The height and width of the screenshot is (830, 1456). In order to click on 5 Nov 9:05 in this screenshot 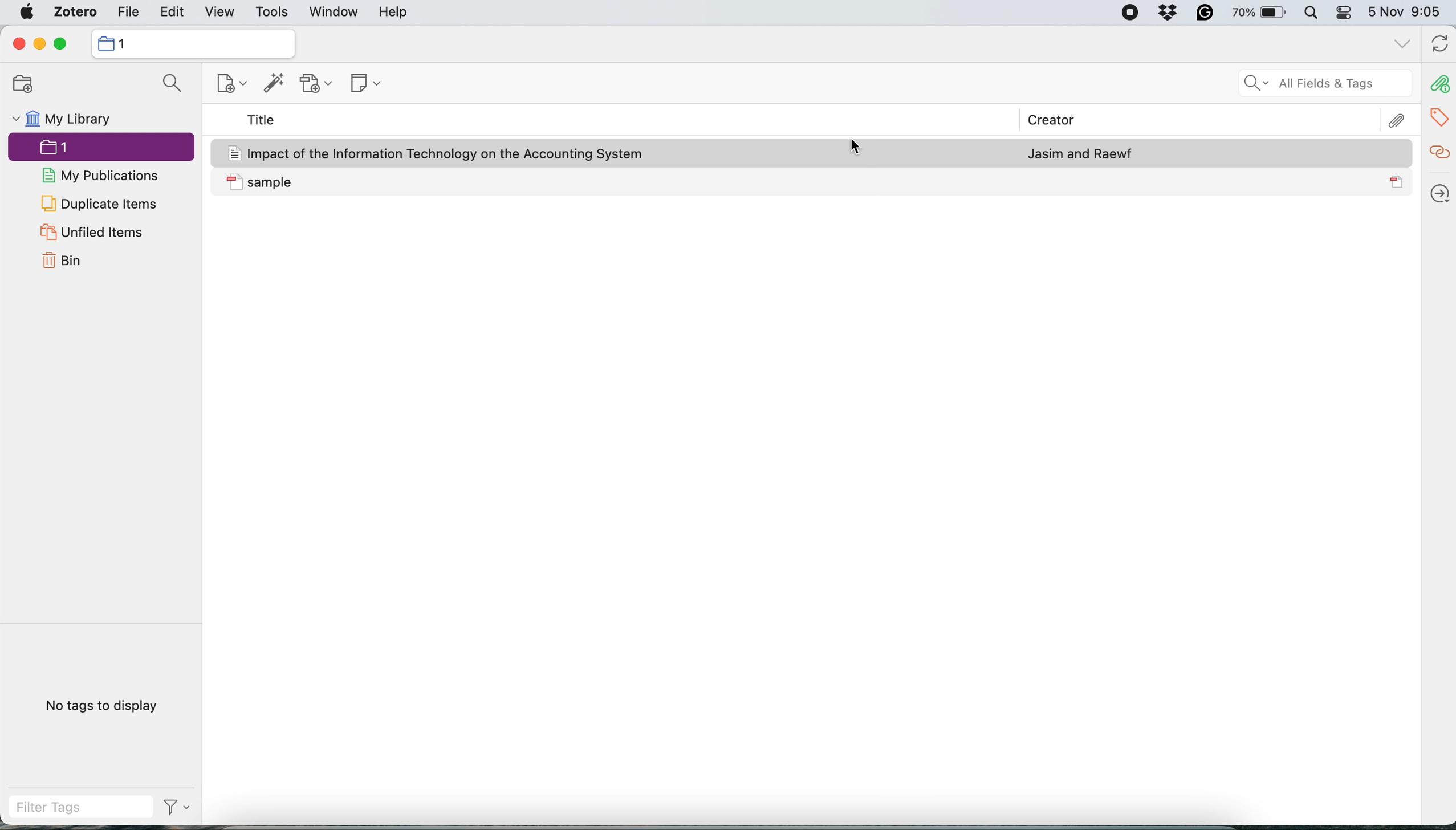, I will do `click(1408, 13)`.